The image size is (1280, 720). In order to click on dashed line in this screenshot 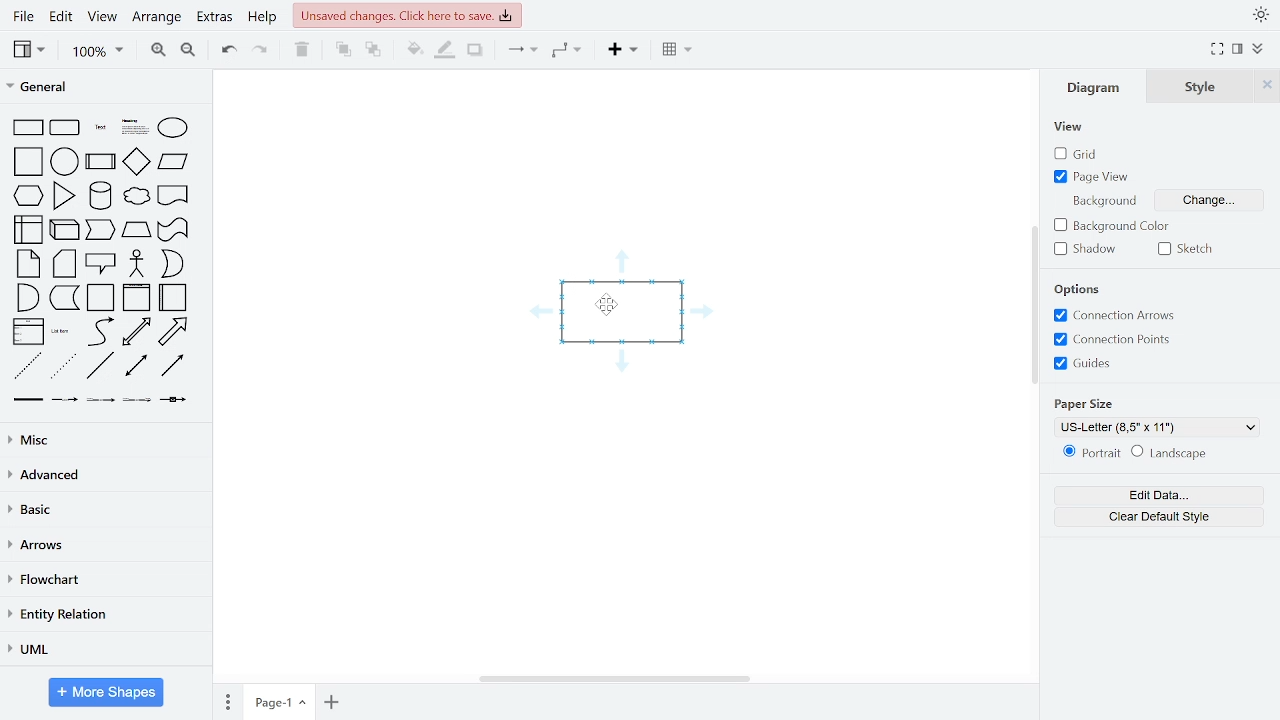, I will do `click(26, 365)`.